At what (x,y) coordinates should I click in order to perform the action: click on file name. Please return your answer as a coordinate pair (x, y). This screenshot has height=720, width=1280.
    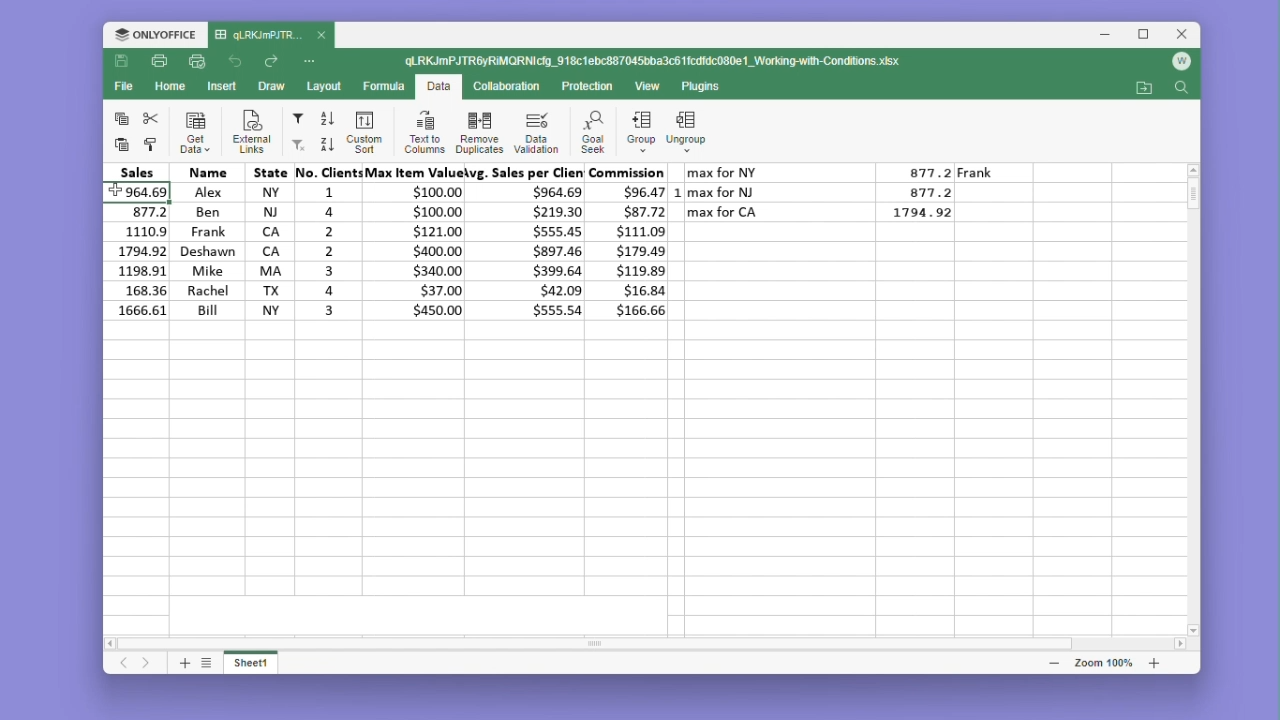
    Looking at the image, I should click on (271, 36).